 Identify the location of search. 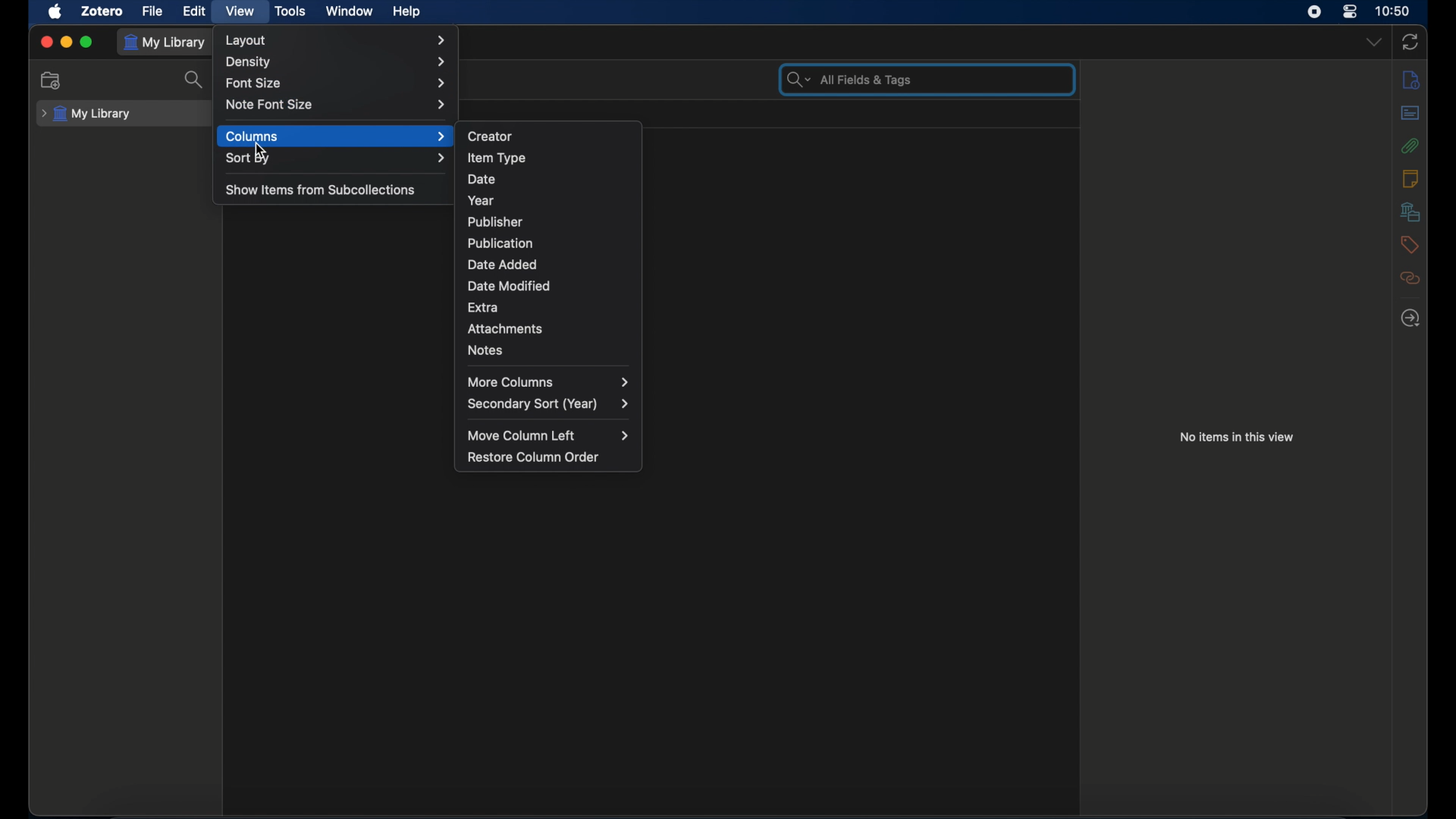
(196, 80).